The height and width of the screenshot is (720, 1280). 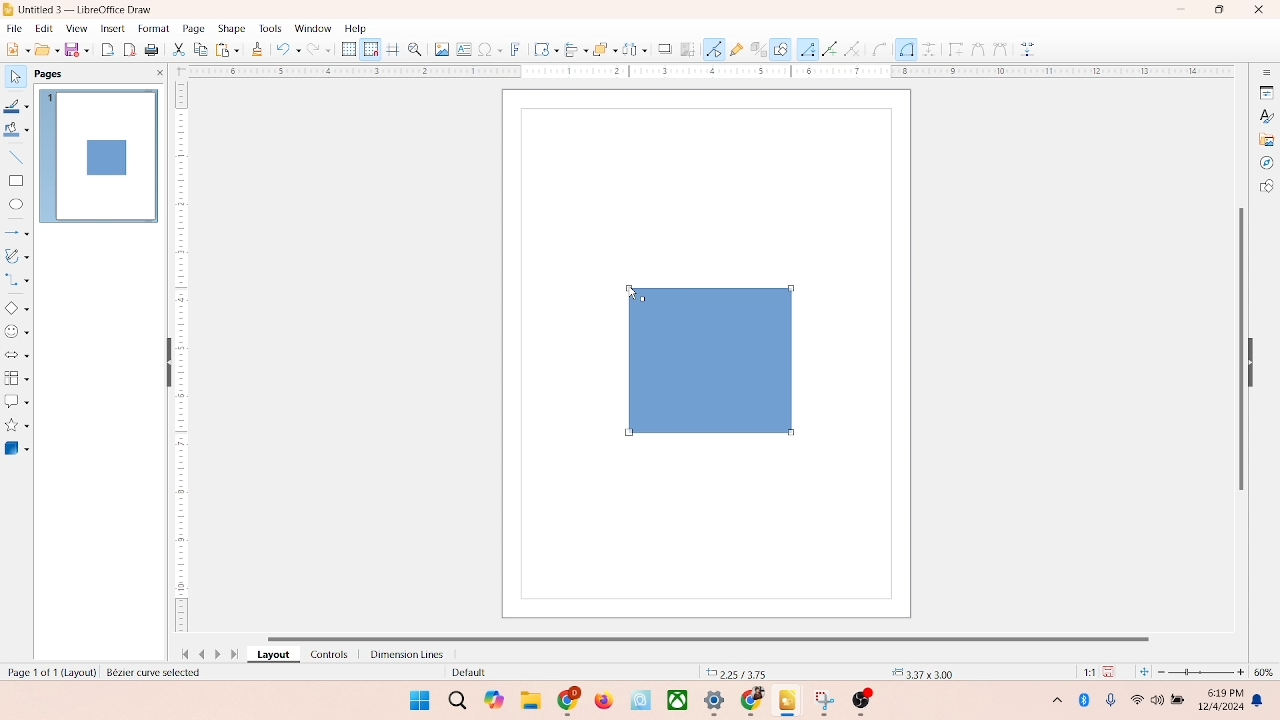 I want to click on insert, so click(x=111, y=28).